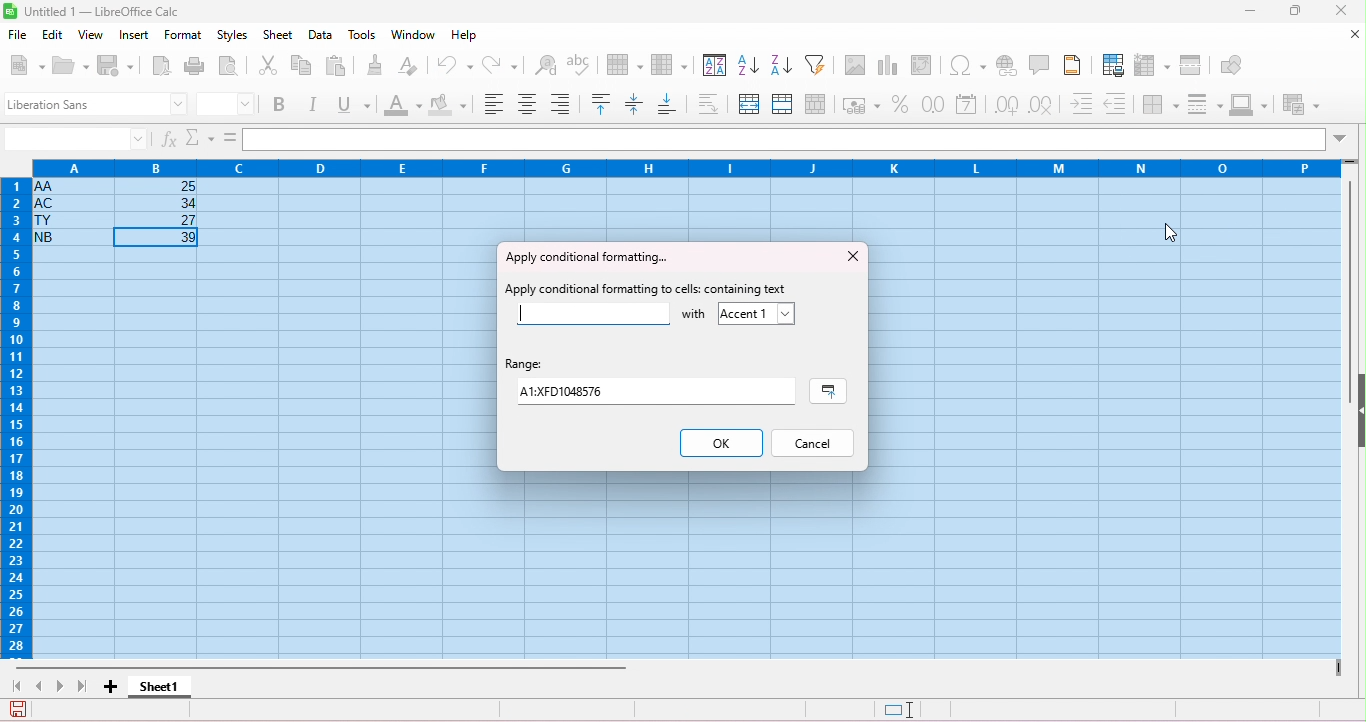 Image resolution: width=1366 pixels, height=722 pixels. I want to click on format as date, so click(968, 105).